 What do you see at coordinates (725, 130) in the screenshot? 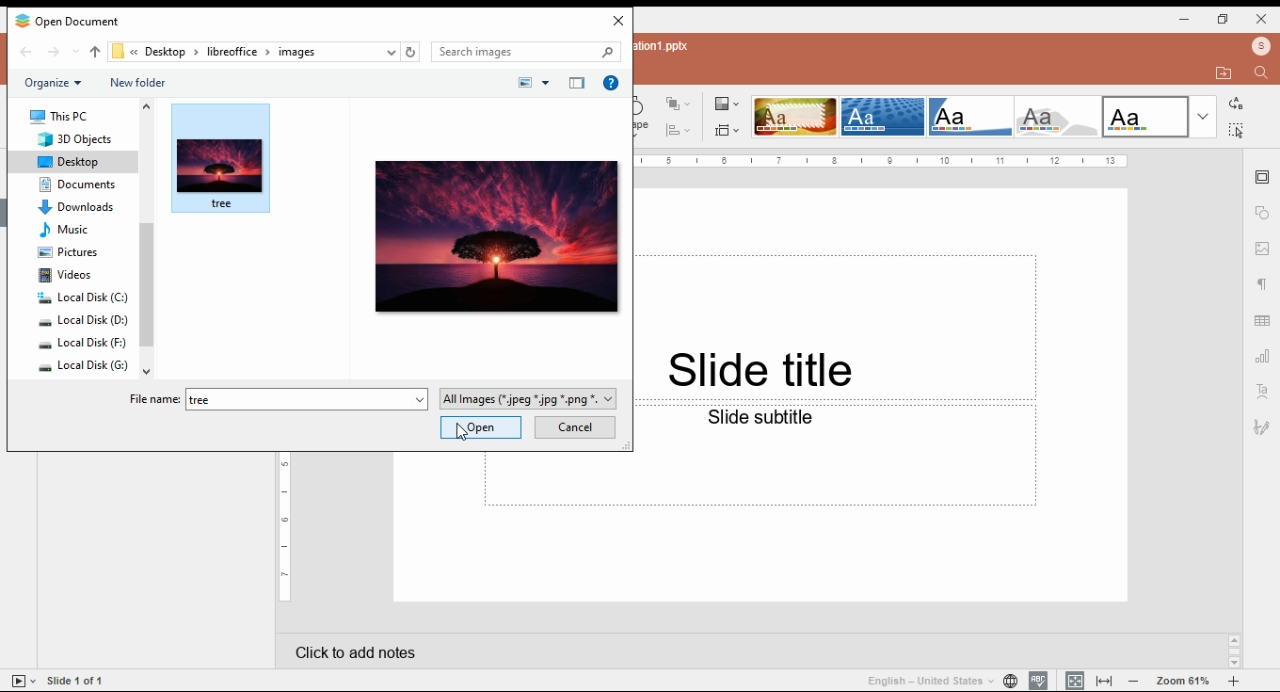
I see `change slide size` at bounding box center [725, 130].